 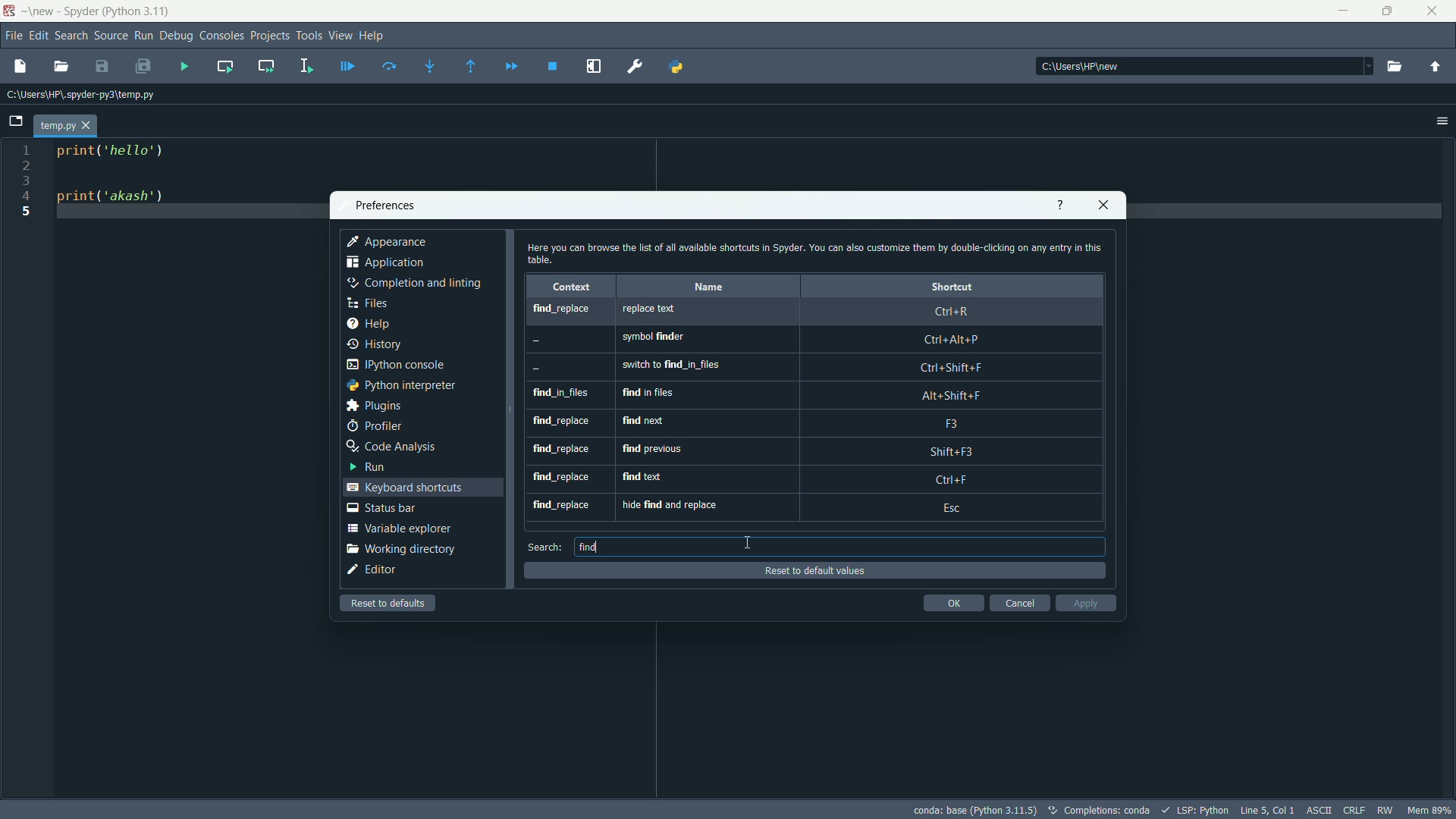 I want to click on continue execution untill next function, so click(x=472, y=65).